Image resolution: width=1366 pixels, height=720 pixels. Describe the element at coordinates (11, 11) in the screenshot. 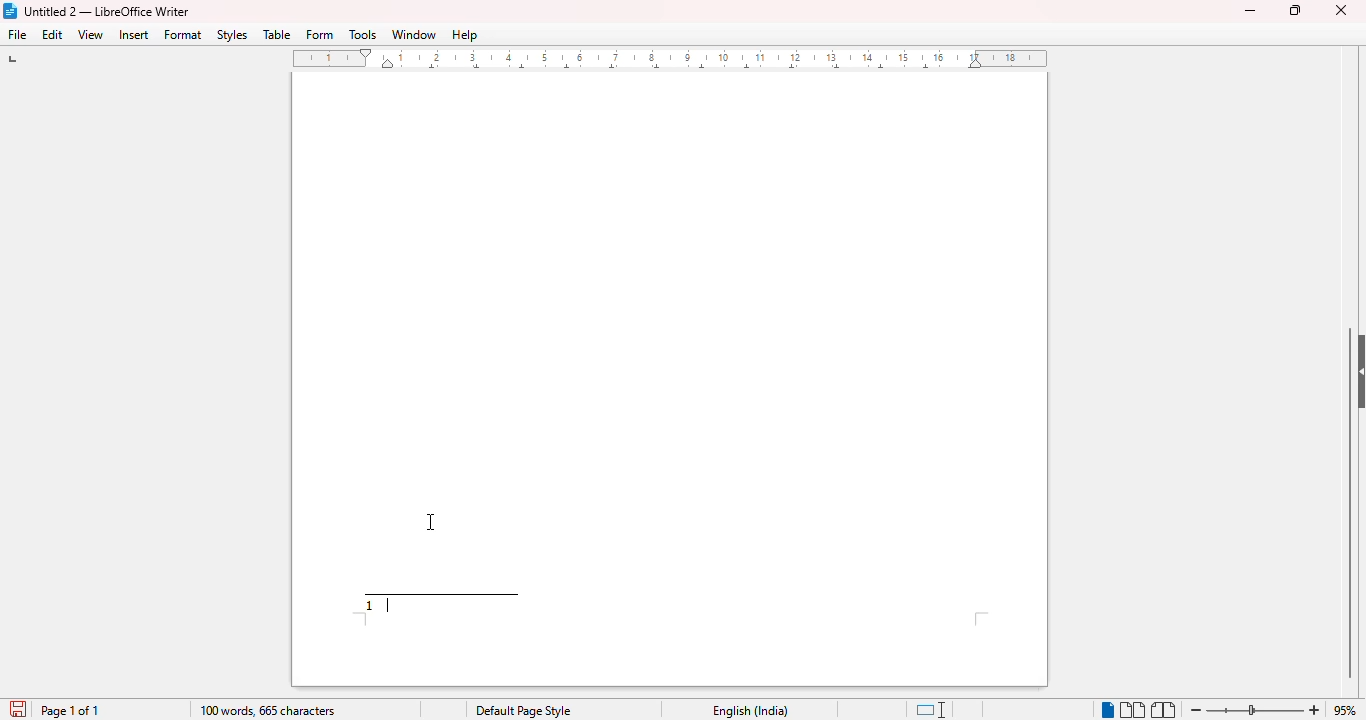

I see `LibreOffice logo` at that location.